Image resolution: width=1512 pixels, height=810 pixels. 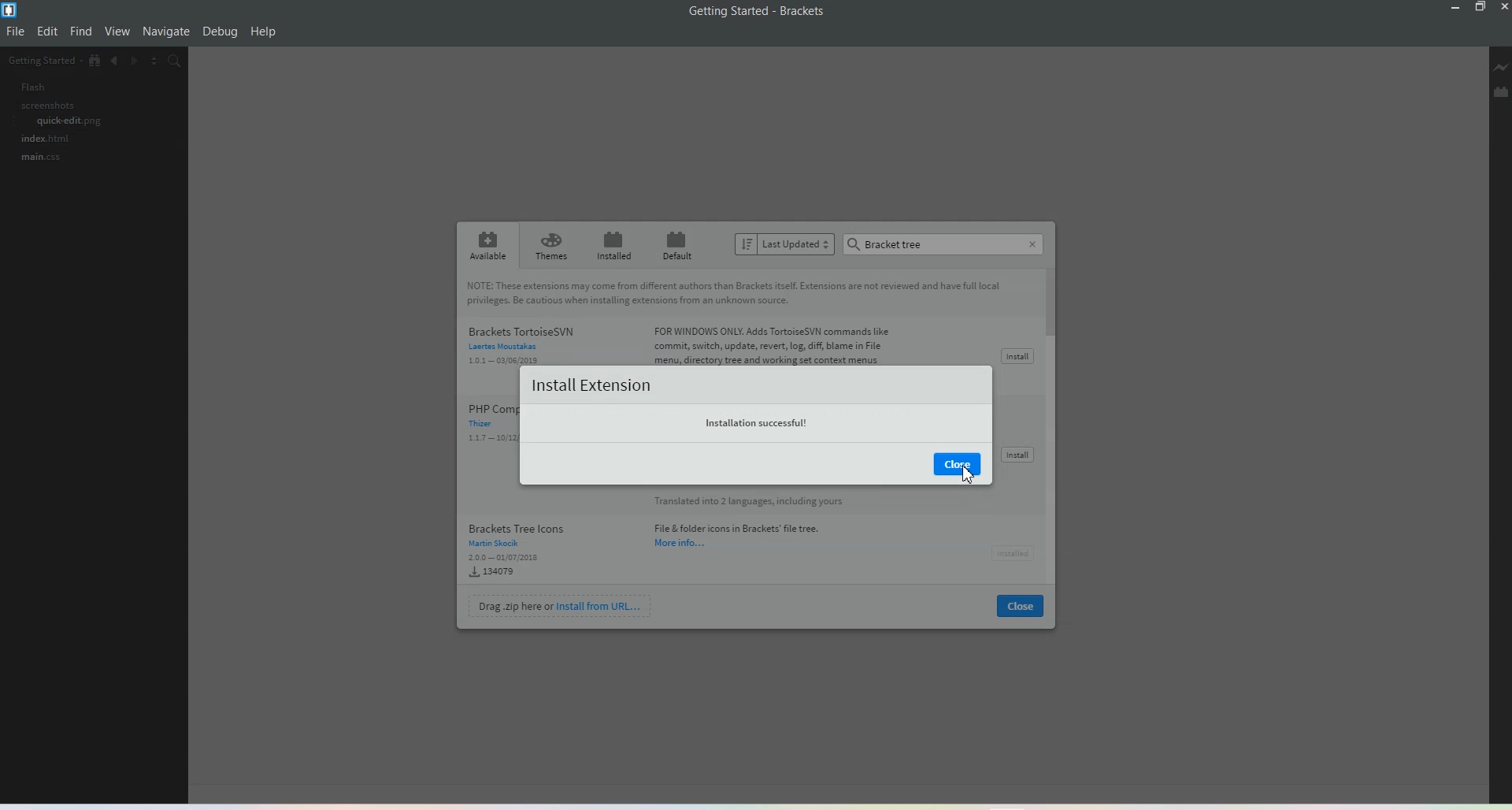 I want to click on PHP Completion , so click(x=487, y=431).